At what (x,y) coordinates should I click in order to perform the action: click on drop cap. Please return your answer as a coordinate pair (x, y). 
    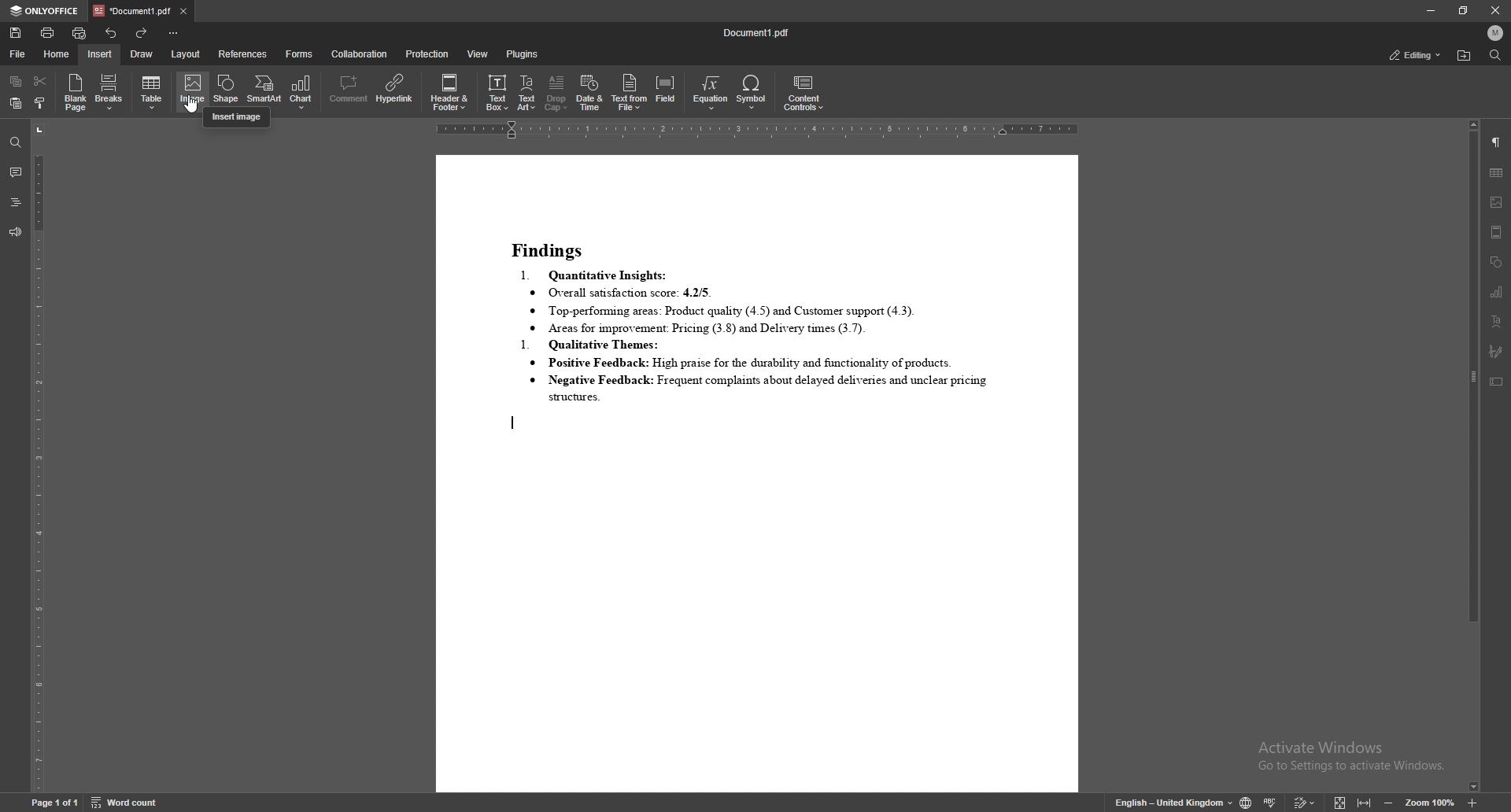
    Looking at the image, I should click on (558, 92).